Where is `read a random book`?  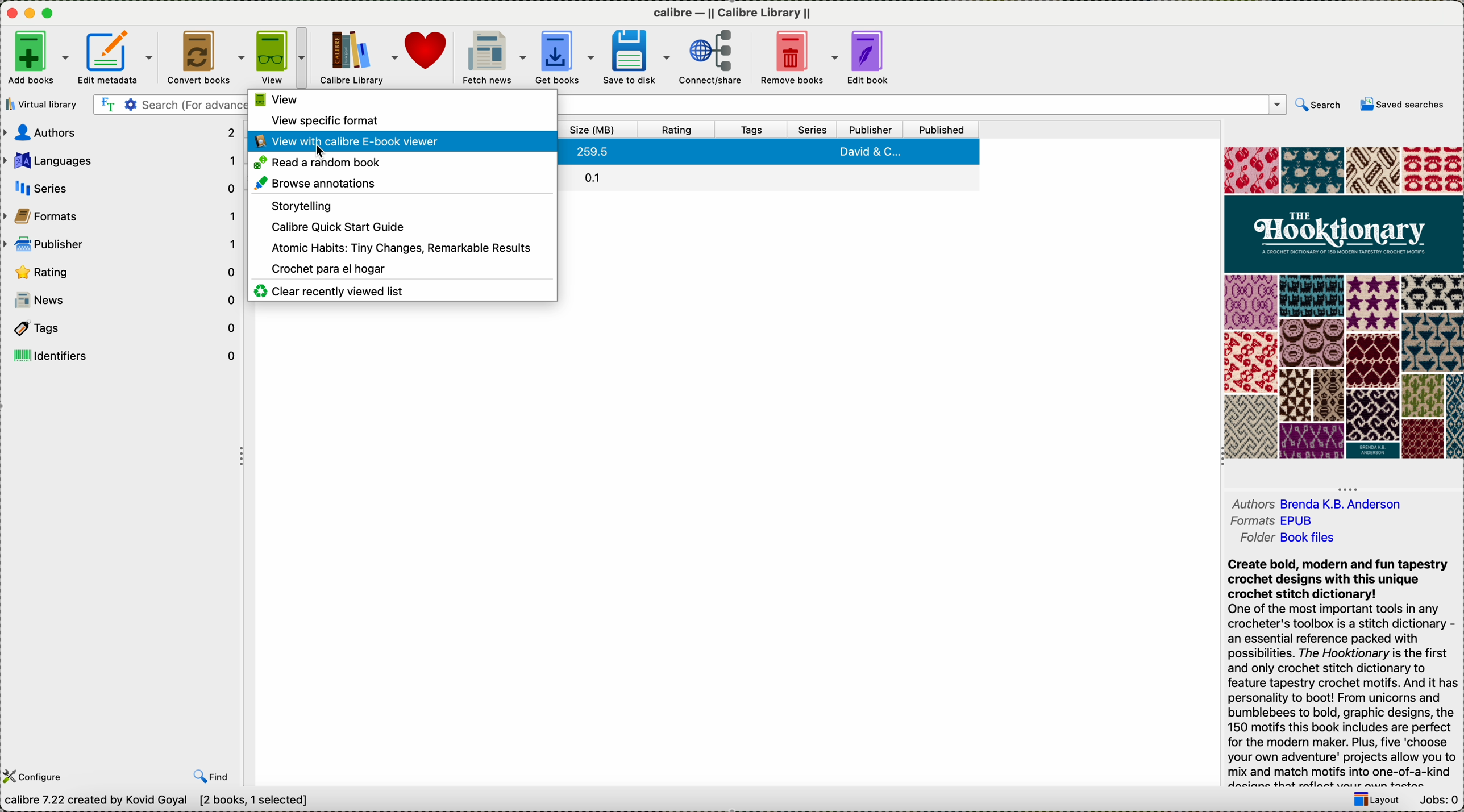
read a random book is located at coordinates (322, 163).